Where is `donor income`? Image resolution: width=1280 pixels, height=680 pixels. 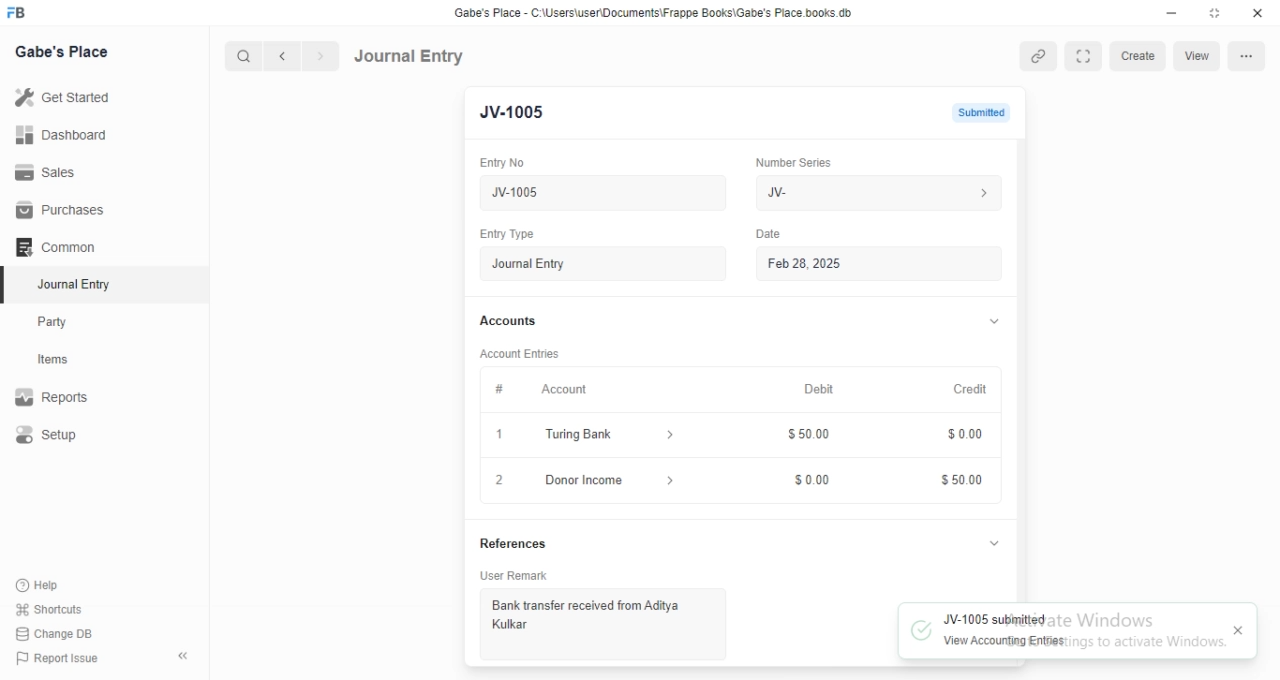 donor income is located at coordinates (602, 478).